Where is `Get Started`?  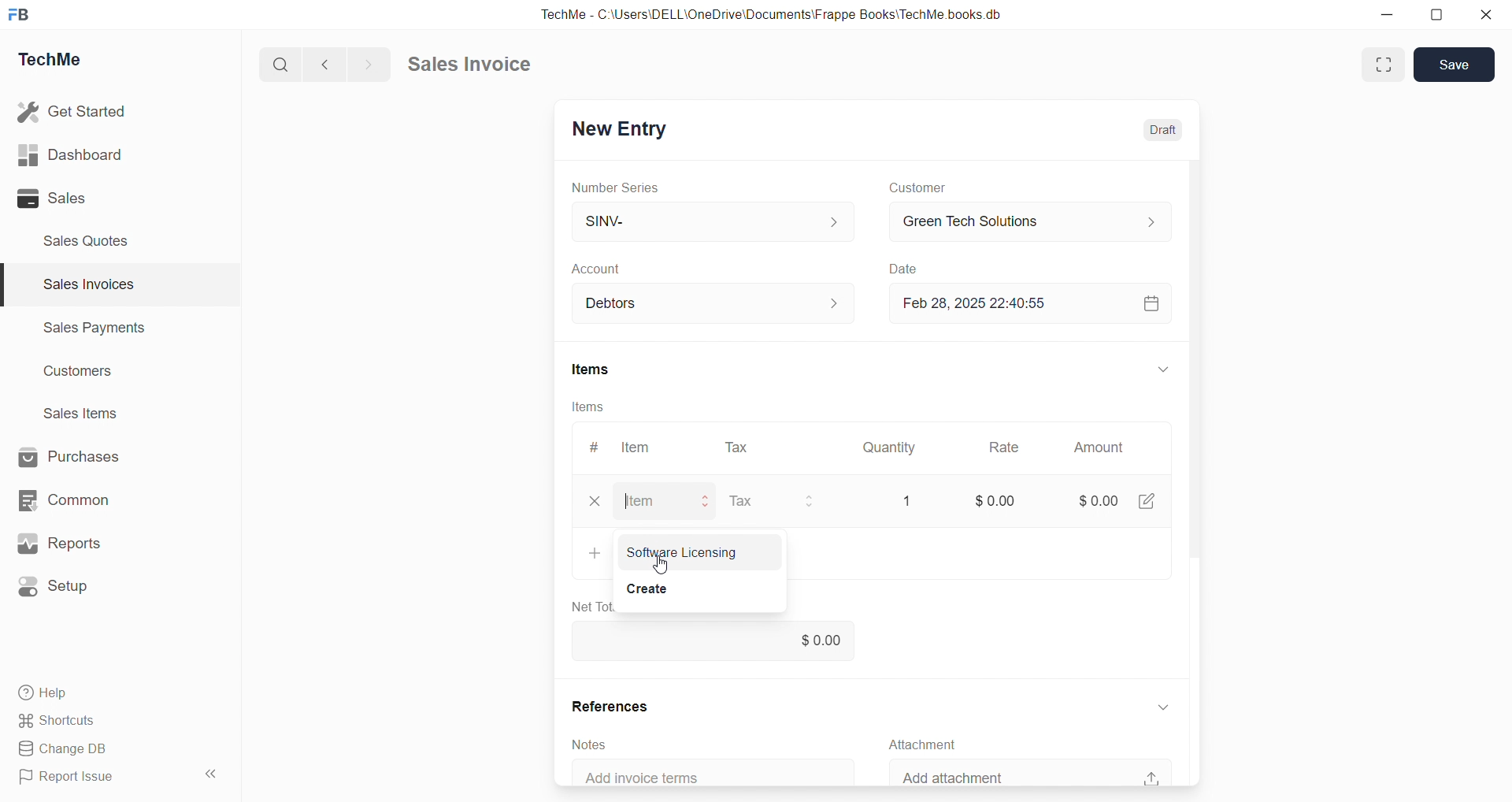 Get Started is located at coordinates (73, 111).